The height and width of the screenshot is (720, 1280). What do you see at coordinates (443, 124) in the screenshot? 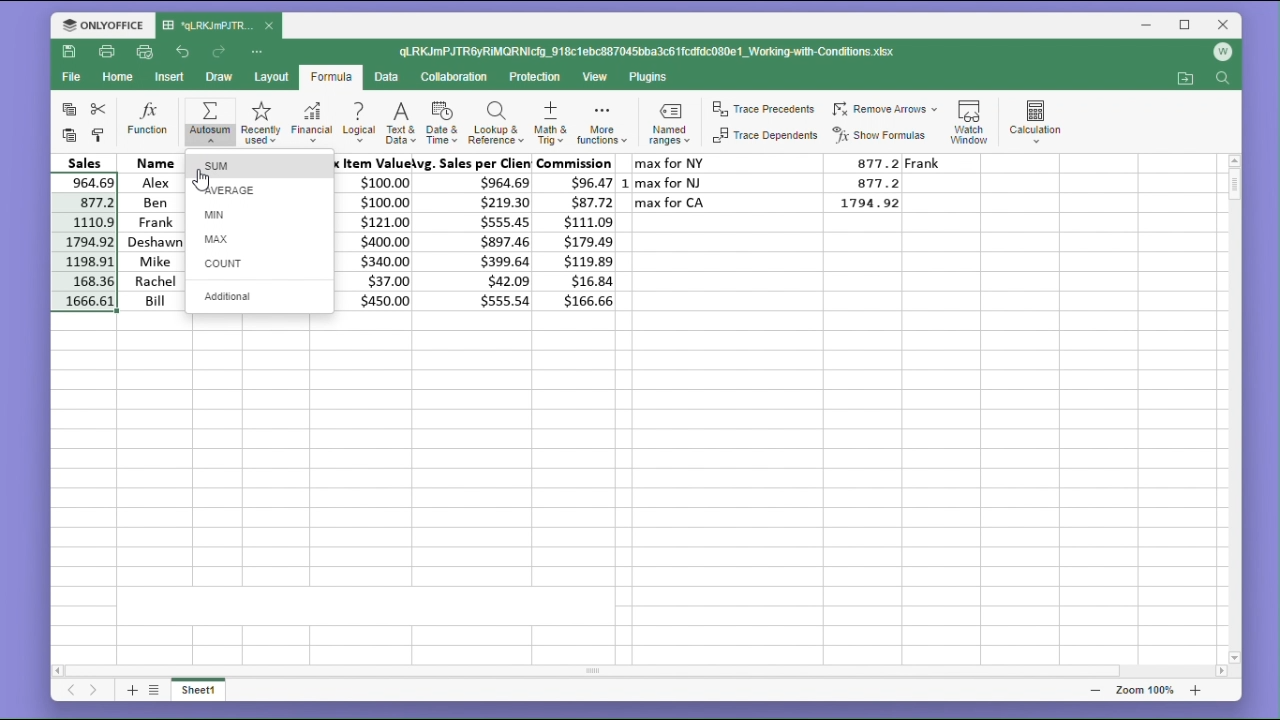
I see `date & time` at bounding box center [443, 124].